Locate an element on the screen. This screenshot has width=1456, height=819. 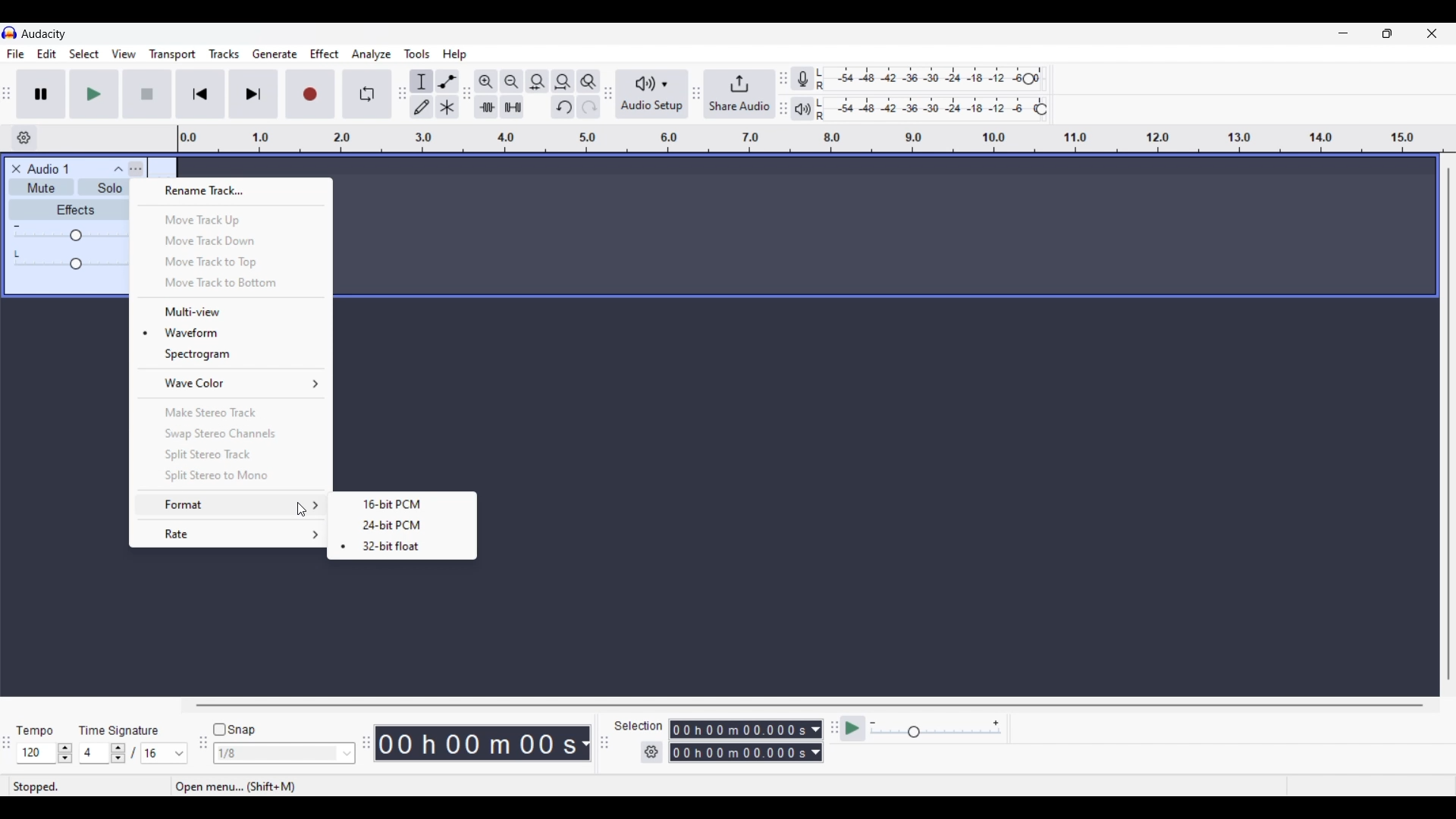
Increase/Decrease time signature is located at coordinates (118, 753).